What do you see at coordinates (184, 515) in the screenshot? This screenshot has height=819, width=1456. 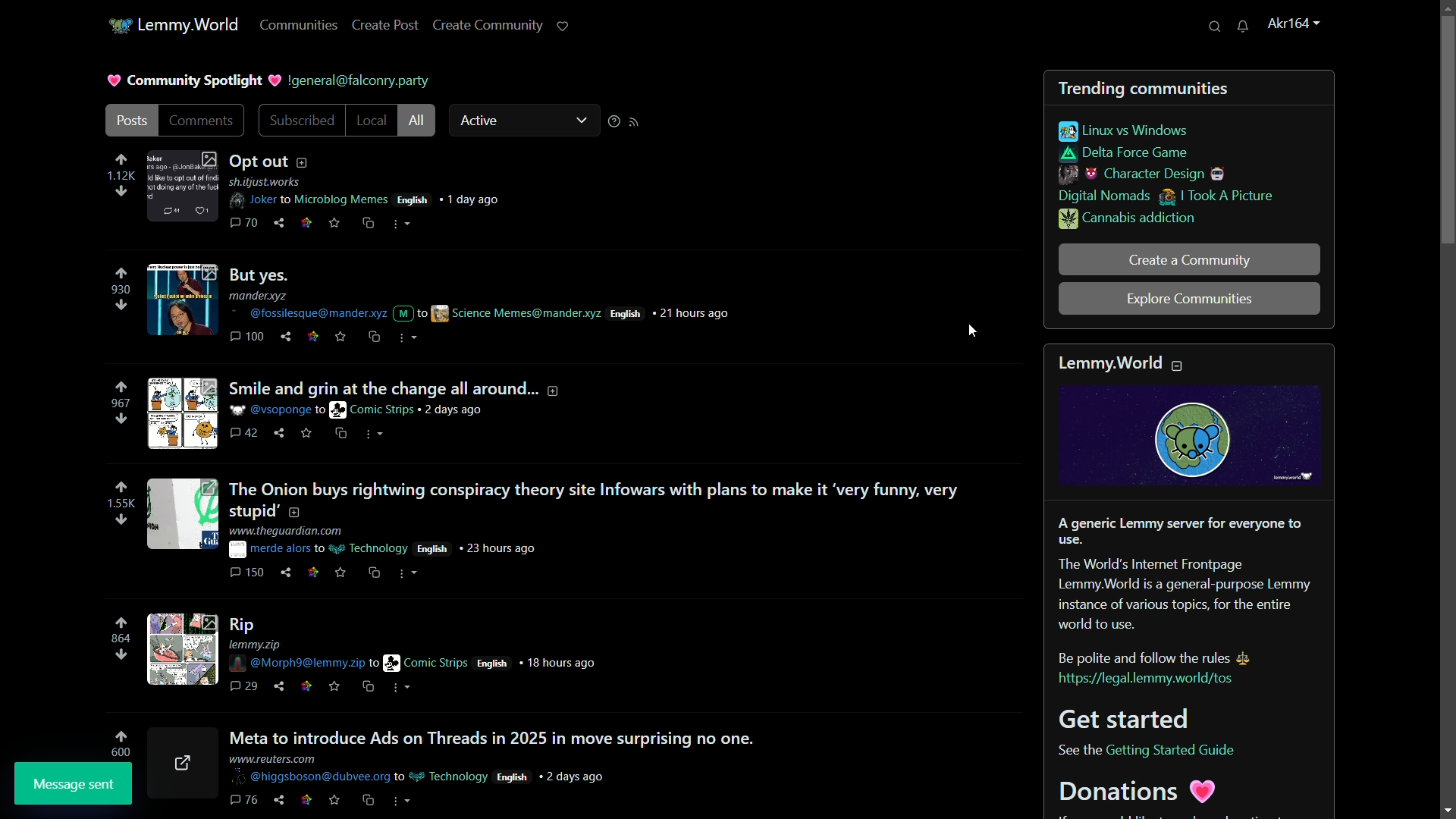 I see `image` at bounding box center [184, 515].